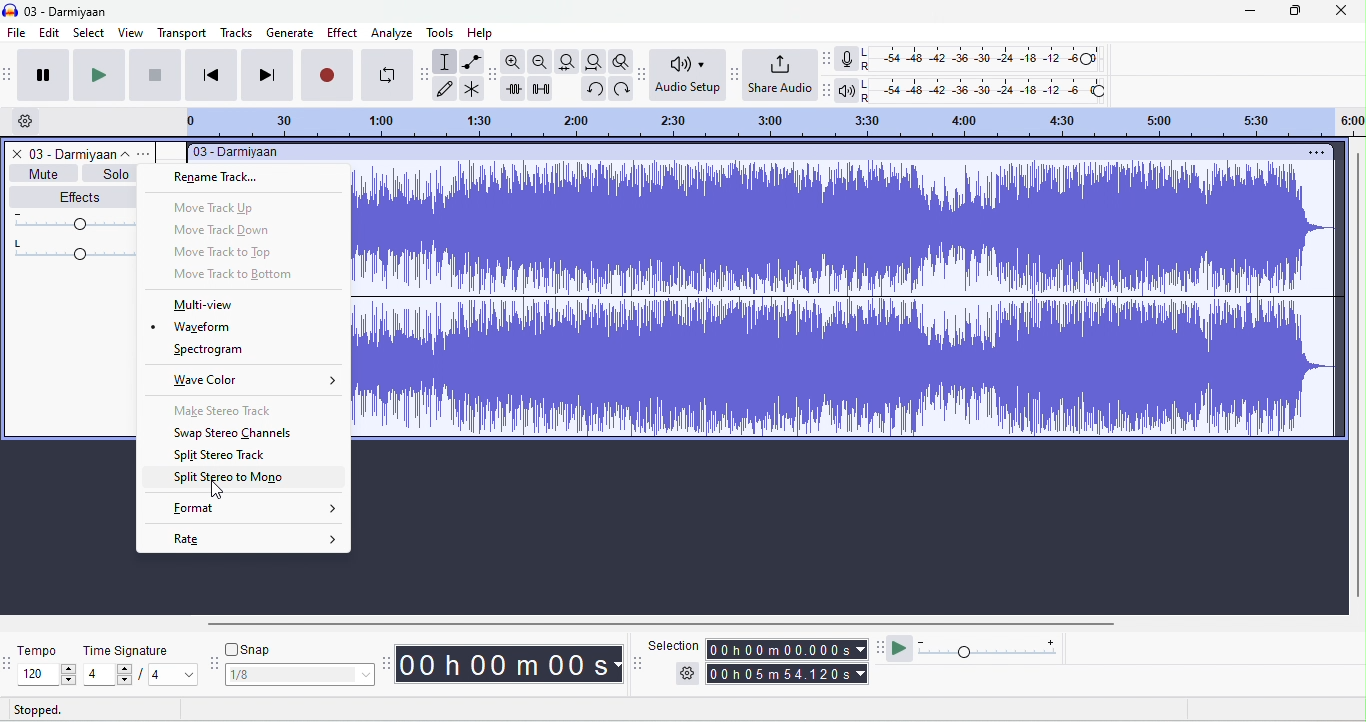 This screenshot has width=1366, height=722. I want to click on swap stereo channels, so click(238, 434).